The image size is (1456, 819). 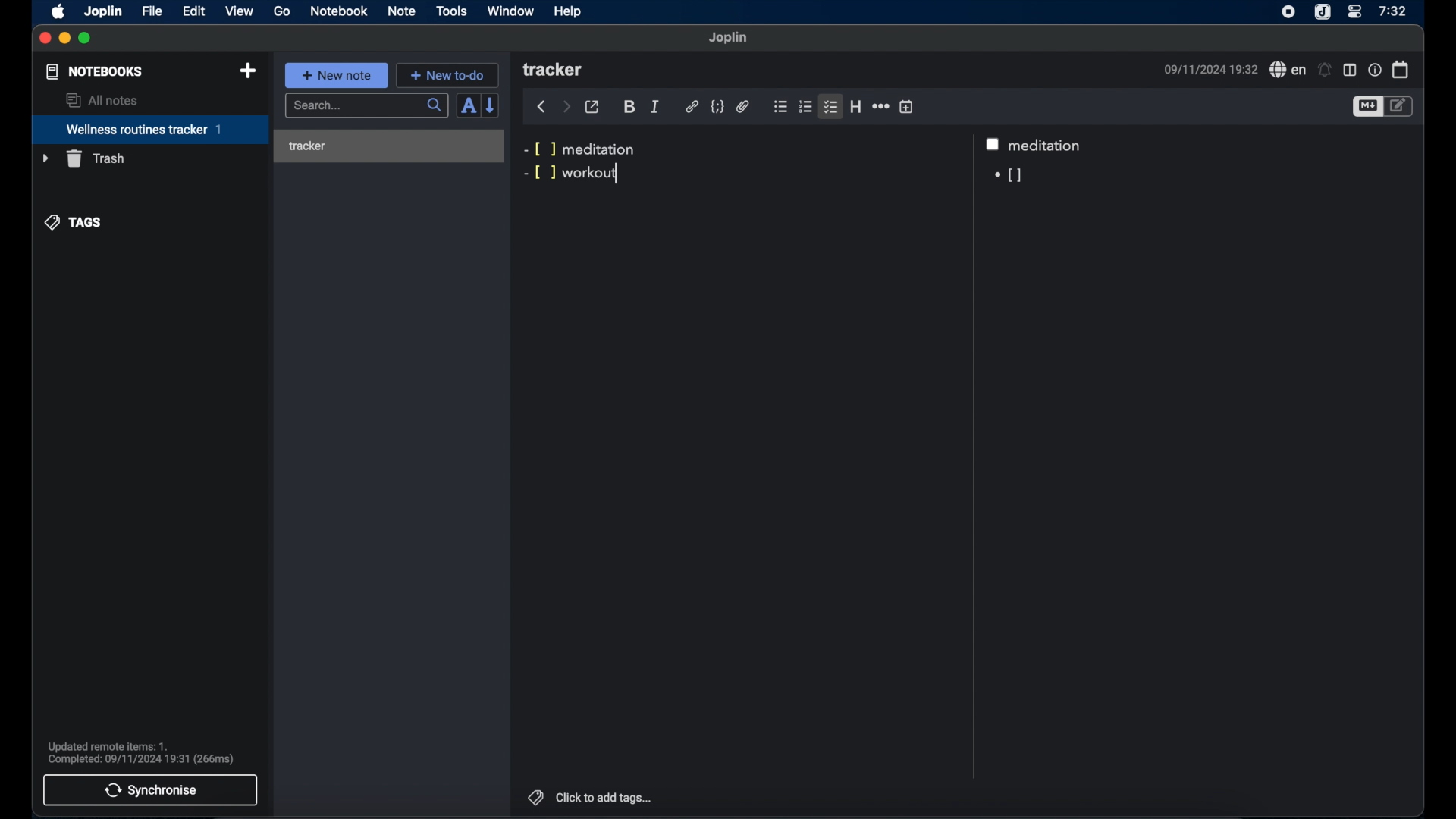 I want to click on notebook, so click(x=339, y=11).